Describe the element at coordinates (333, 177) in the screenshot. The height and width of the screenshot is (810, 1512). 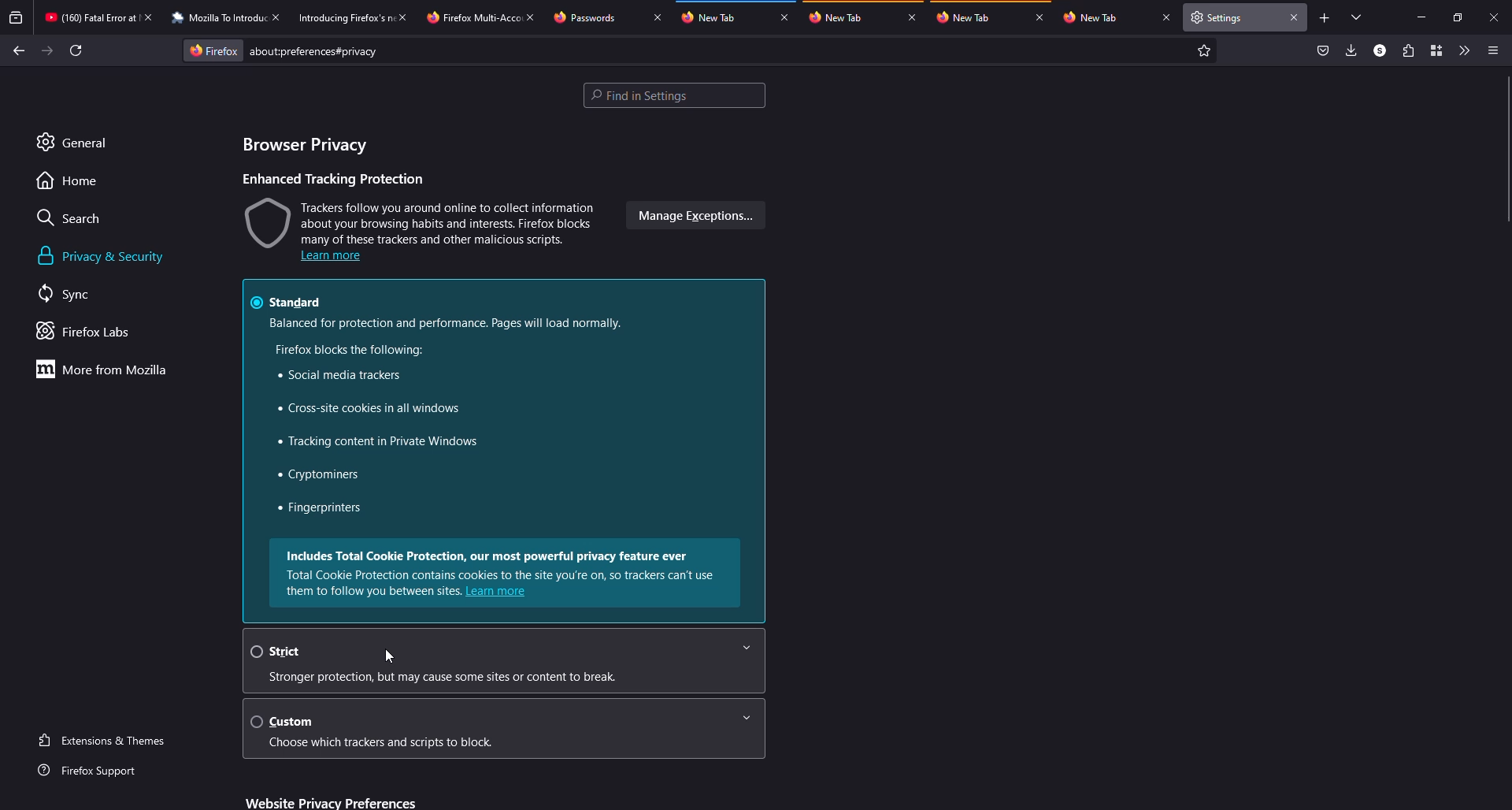
I see `enhanced protection` at that location.